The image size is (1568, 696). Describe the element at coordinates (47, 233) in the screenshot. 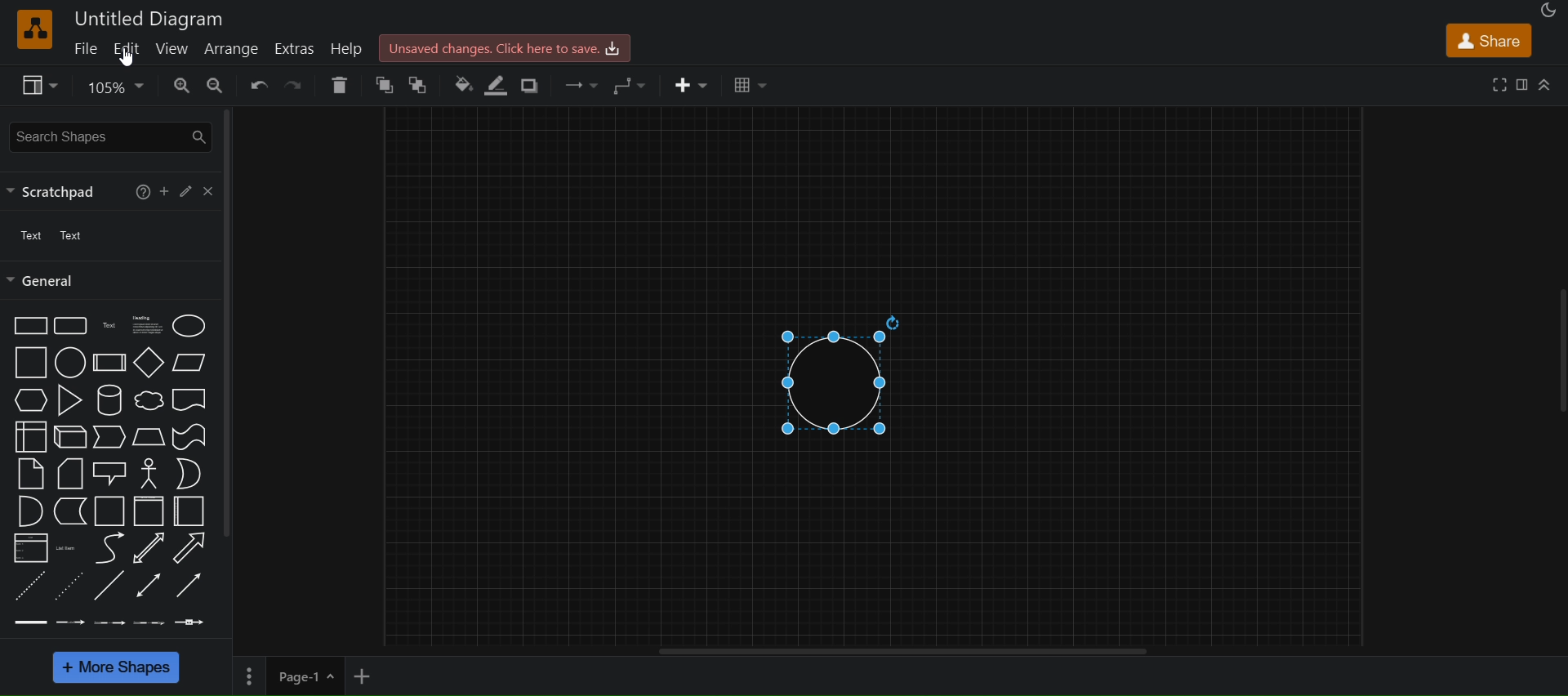

I see `text` at that location.